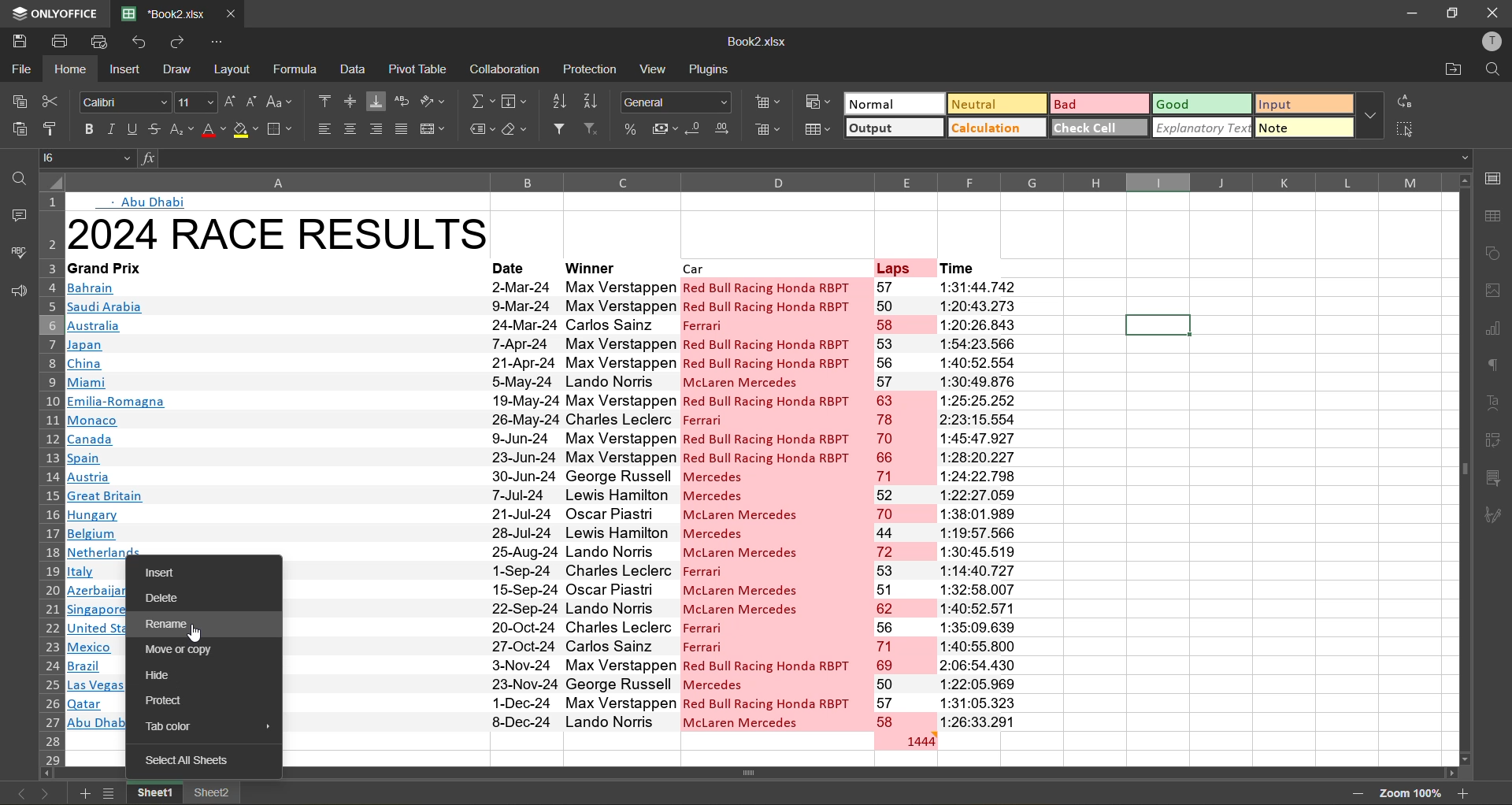 The height and width of the screenshot is (805, 1512). I want to click on previous, so click(17, 793).